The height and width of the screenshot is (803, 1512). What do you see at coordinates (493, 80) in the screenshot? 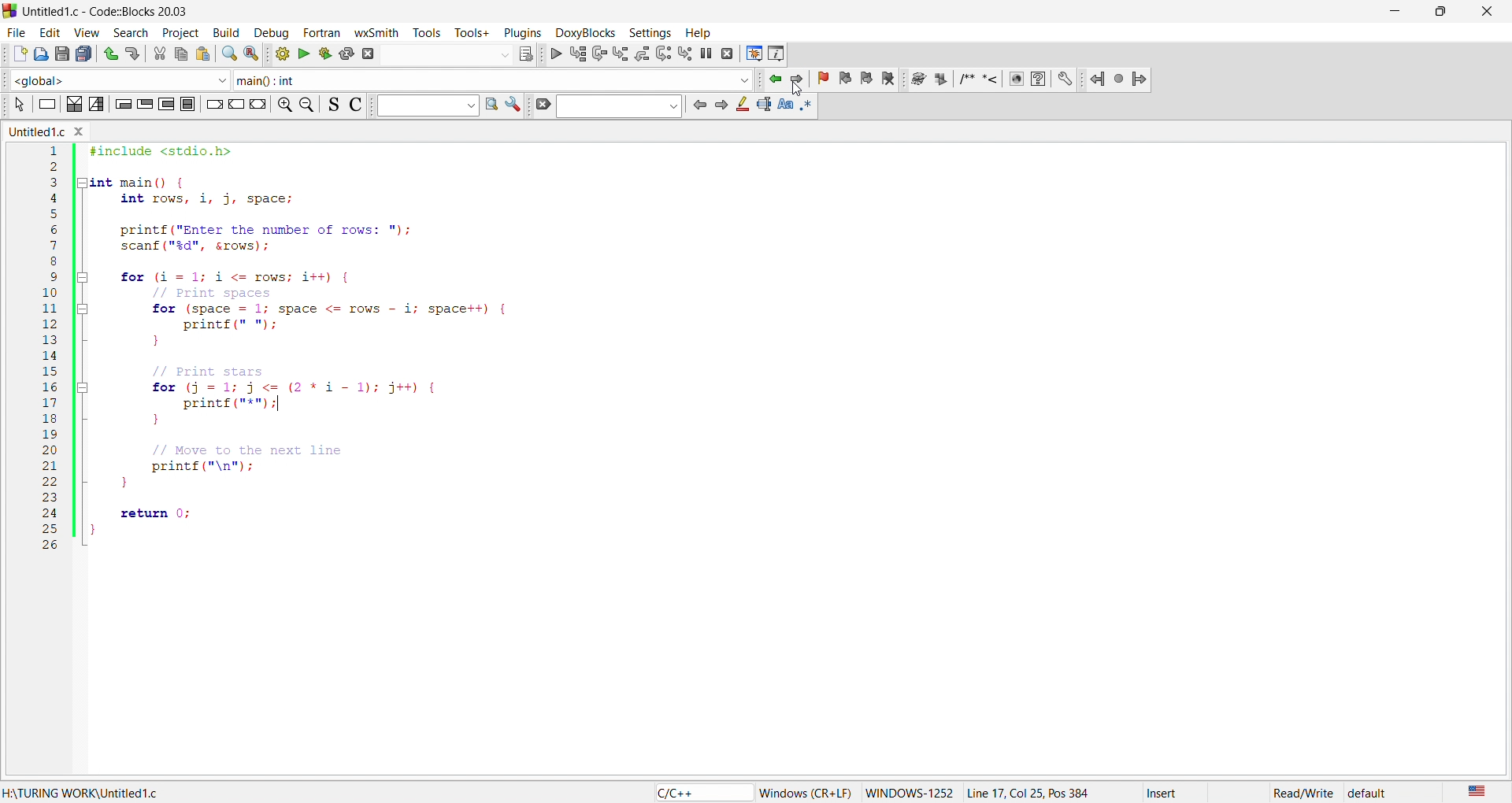
I see `function ` at bounding box center [493, 80].